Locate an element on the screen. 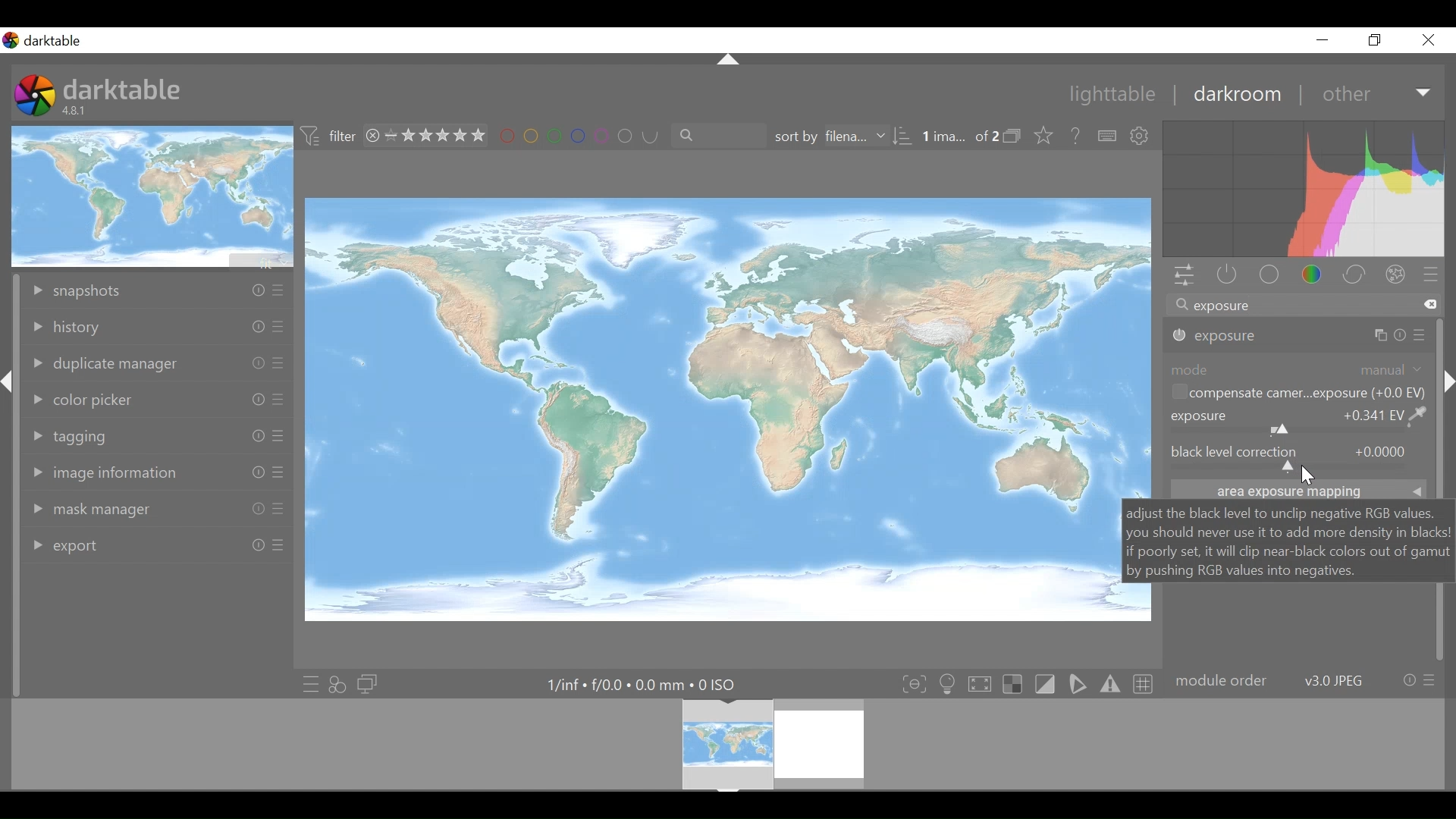 This screenshot has width=1456, height=819. duplicate manager is located at coordinates (157, 366).